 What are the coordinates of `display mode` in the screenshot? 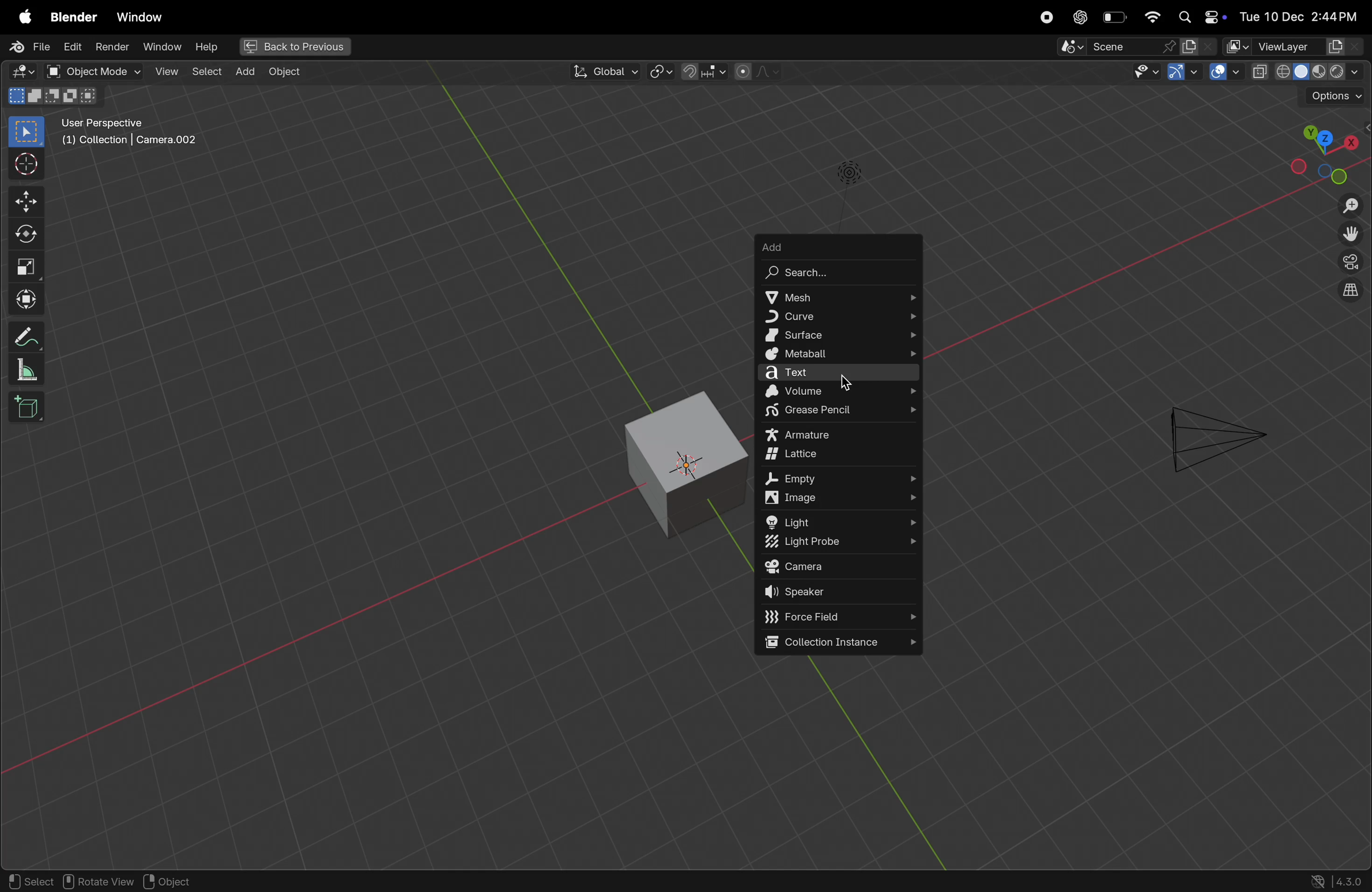 It's located at (1199, 47).